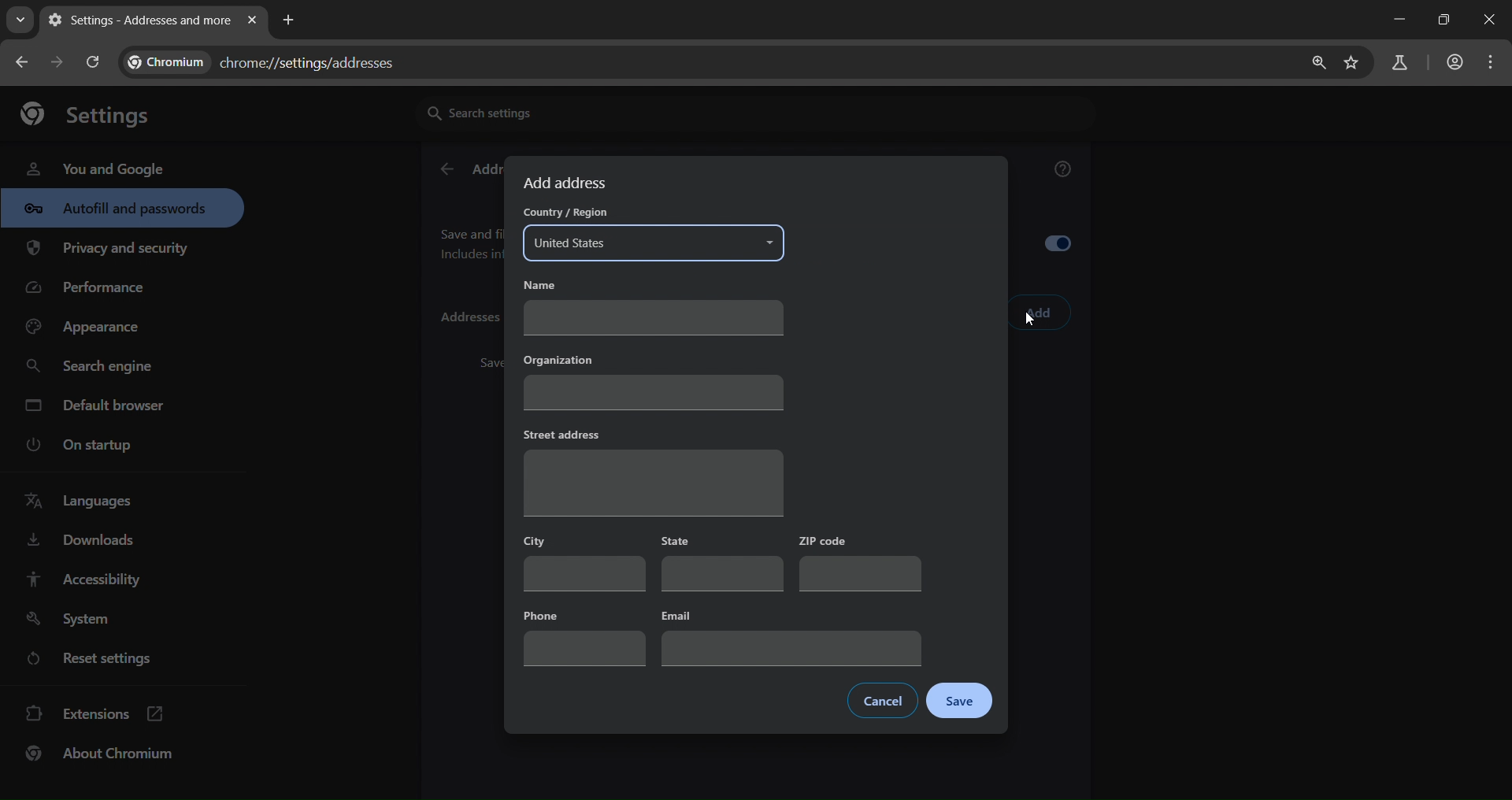 The image size is (1512, 800). Describe the element at coordinates (1452, 64) in the screenshot. I see `account` at that location.